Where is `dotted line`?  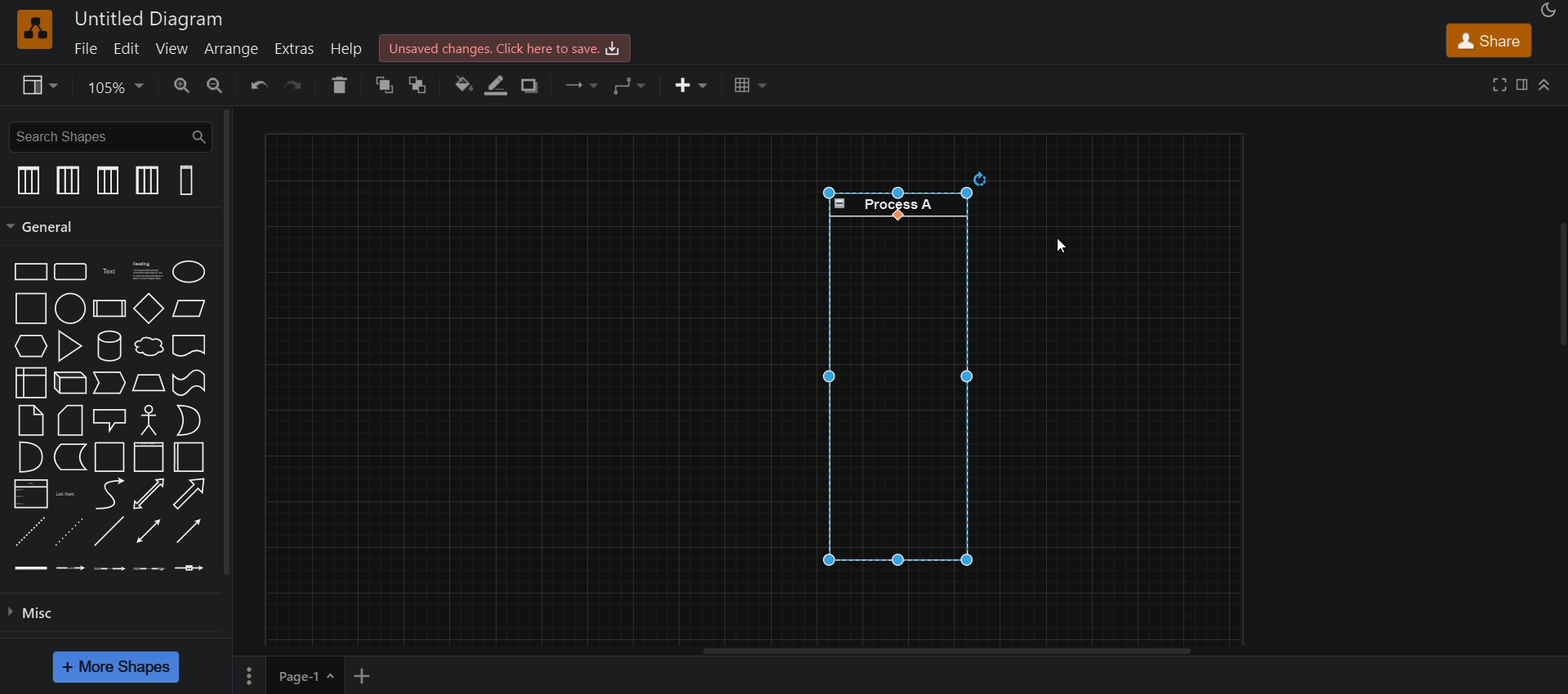
dotted line is located at coordinates (69, 535).